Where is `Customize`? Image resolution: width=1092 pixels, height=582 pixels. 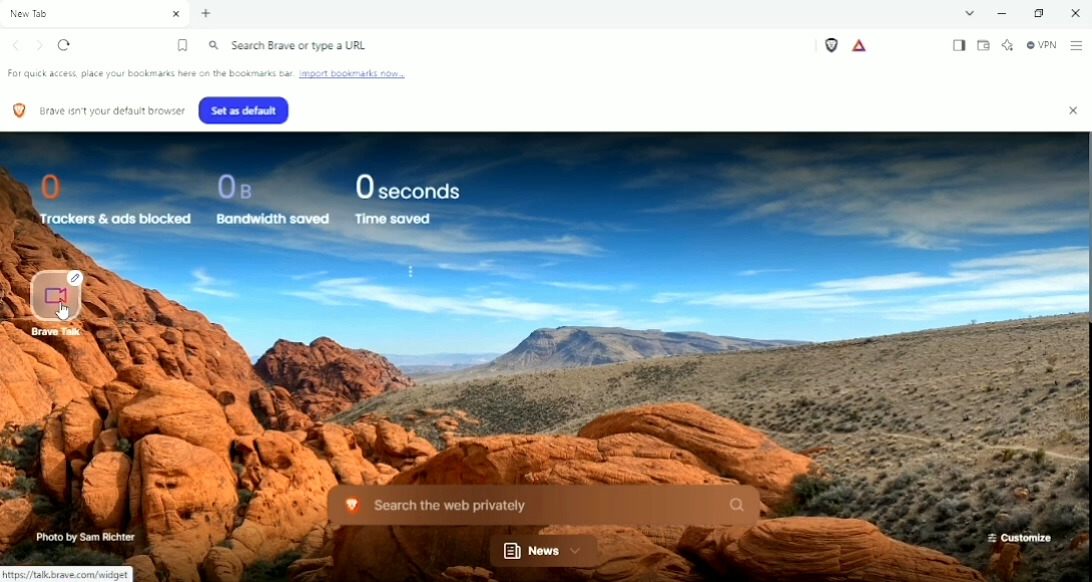 Customize is located at coordinates (1020, 538).